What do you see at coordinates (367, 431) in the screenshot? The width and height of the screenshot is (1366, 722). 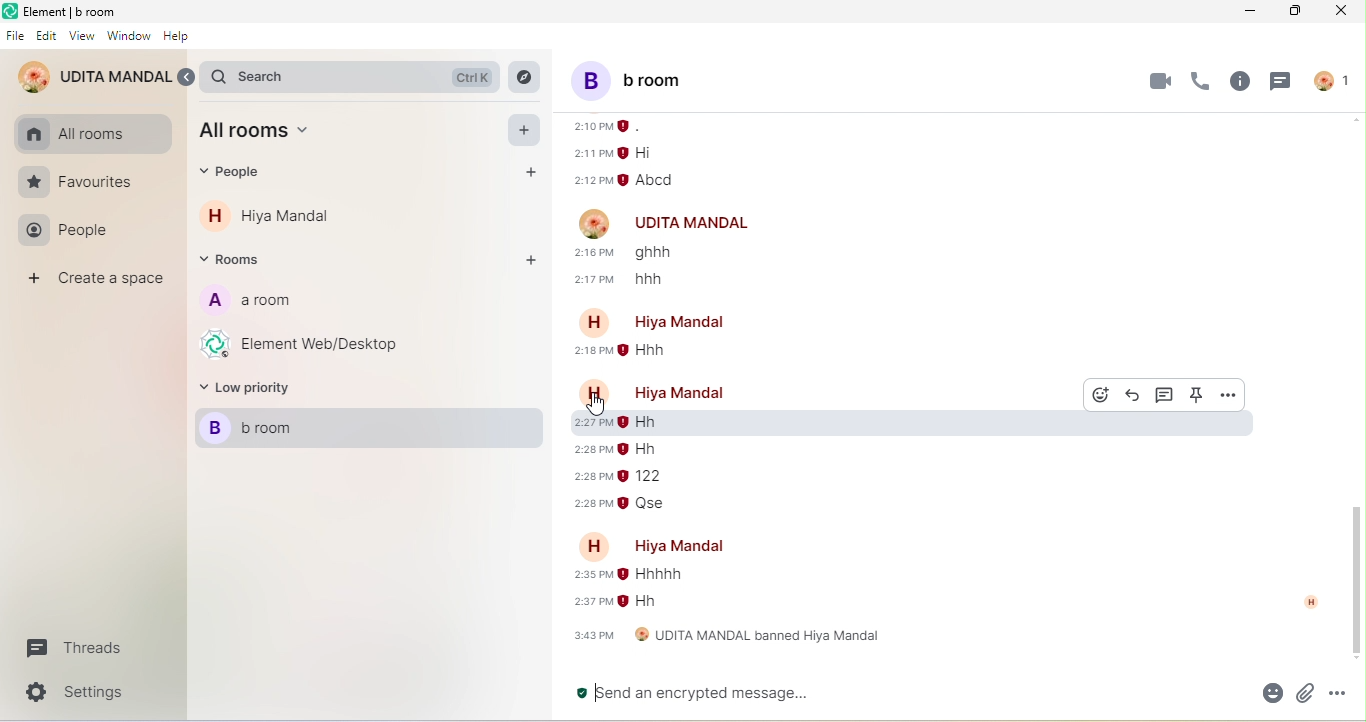 I see `b room` at bounding box center [367, 431].